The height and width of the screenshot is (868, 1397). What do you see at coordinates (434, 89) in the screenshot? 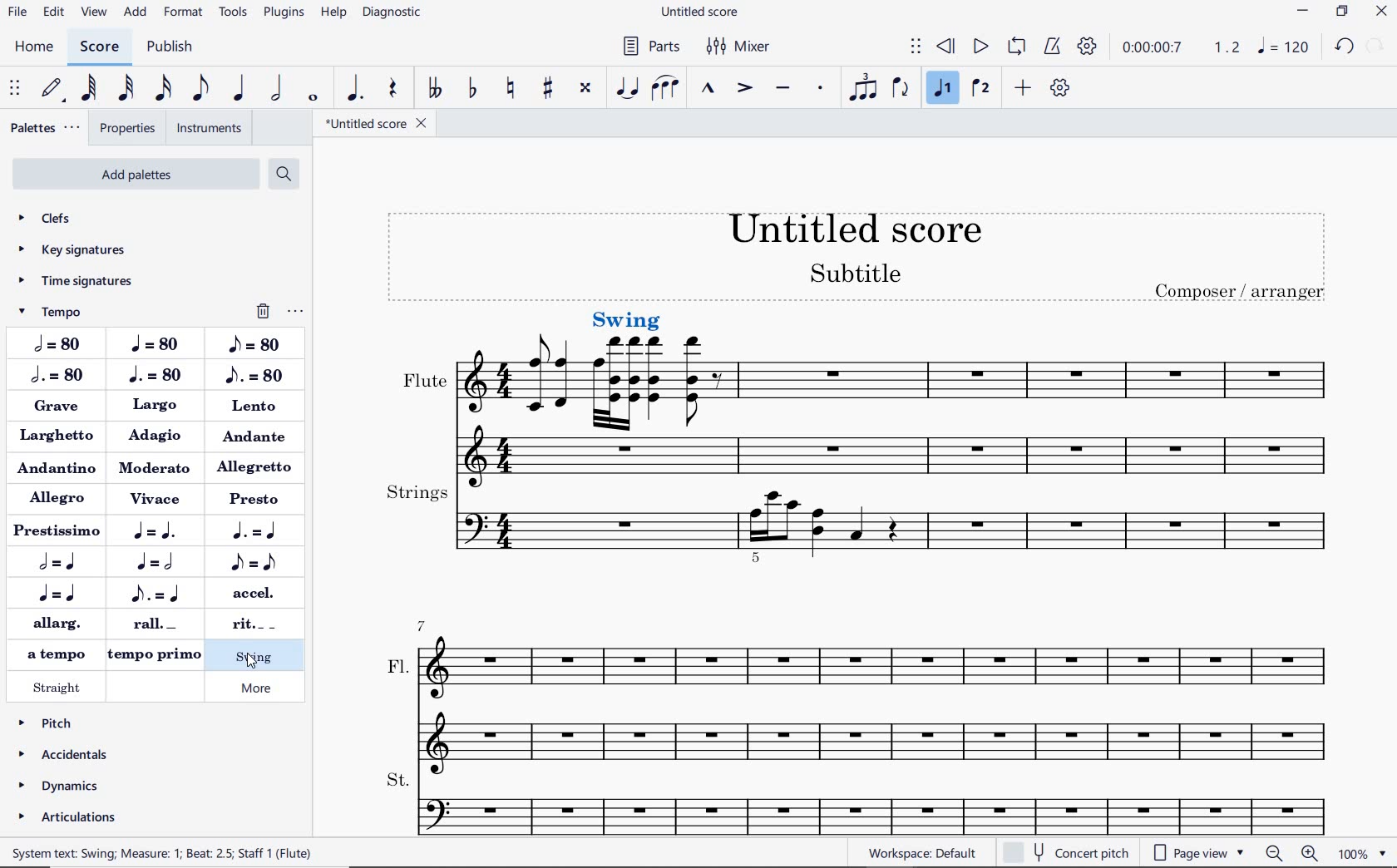
I see `TOGGLE DOUBLE-FLAT` at bounding box center [434, 89].